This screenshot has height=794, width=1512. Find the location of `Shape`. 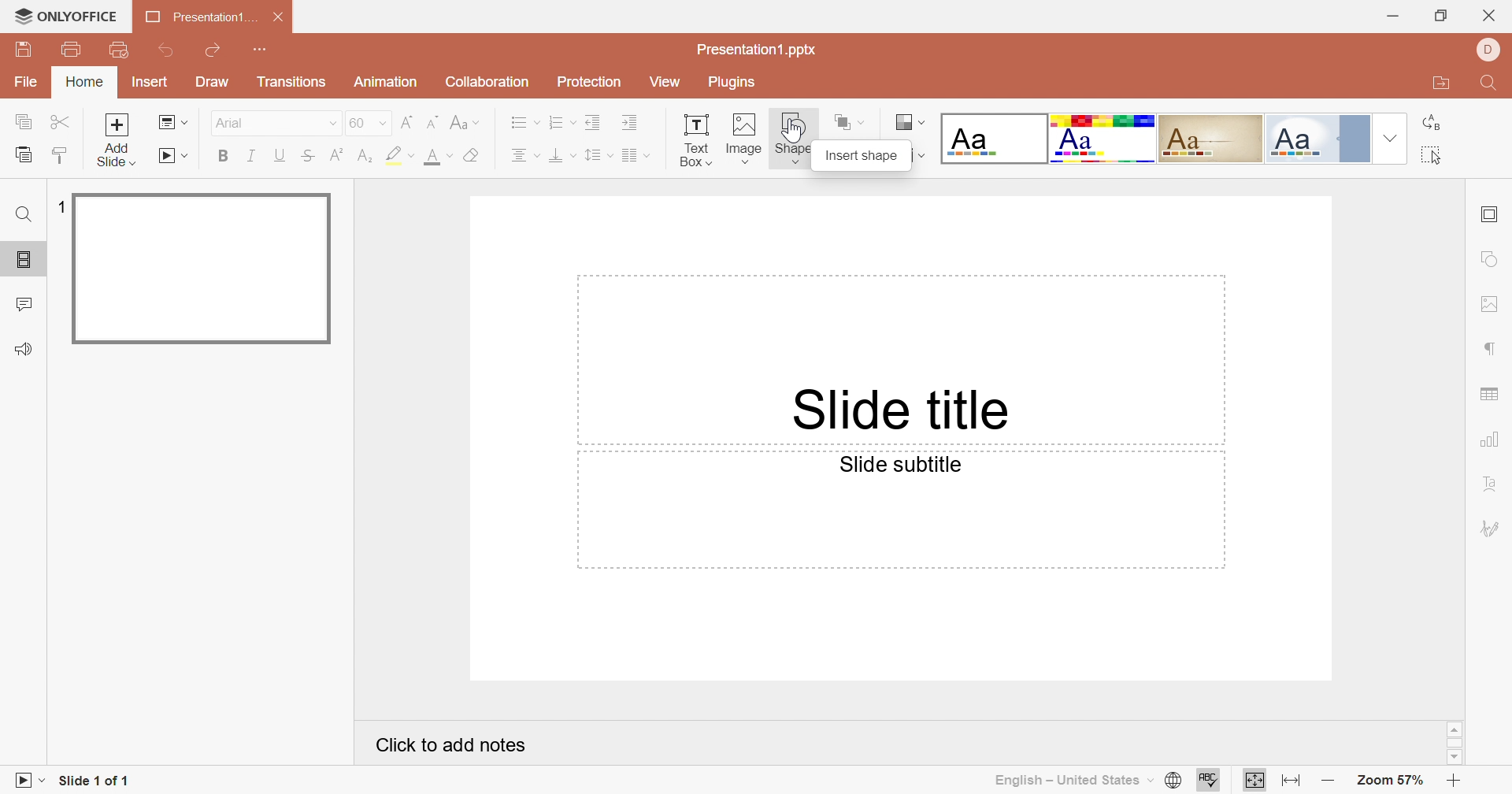

Shape is located at coordinates (794, 141).